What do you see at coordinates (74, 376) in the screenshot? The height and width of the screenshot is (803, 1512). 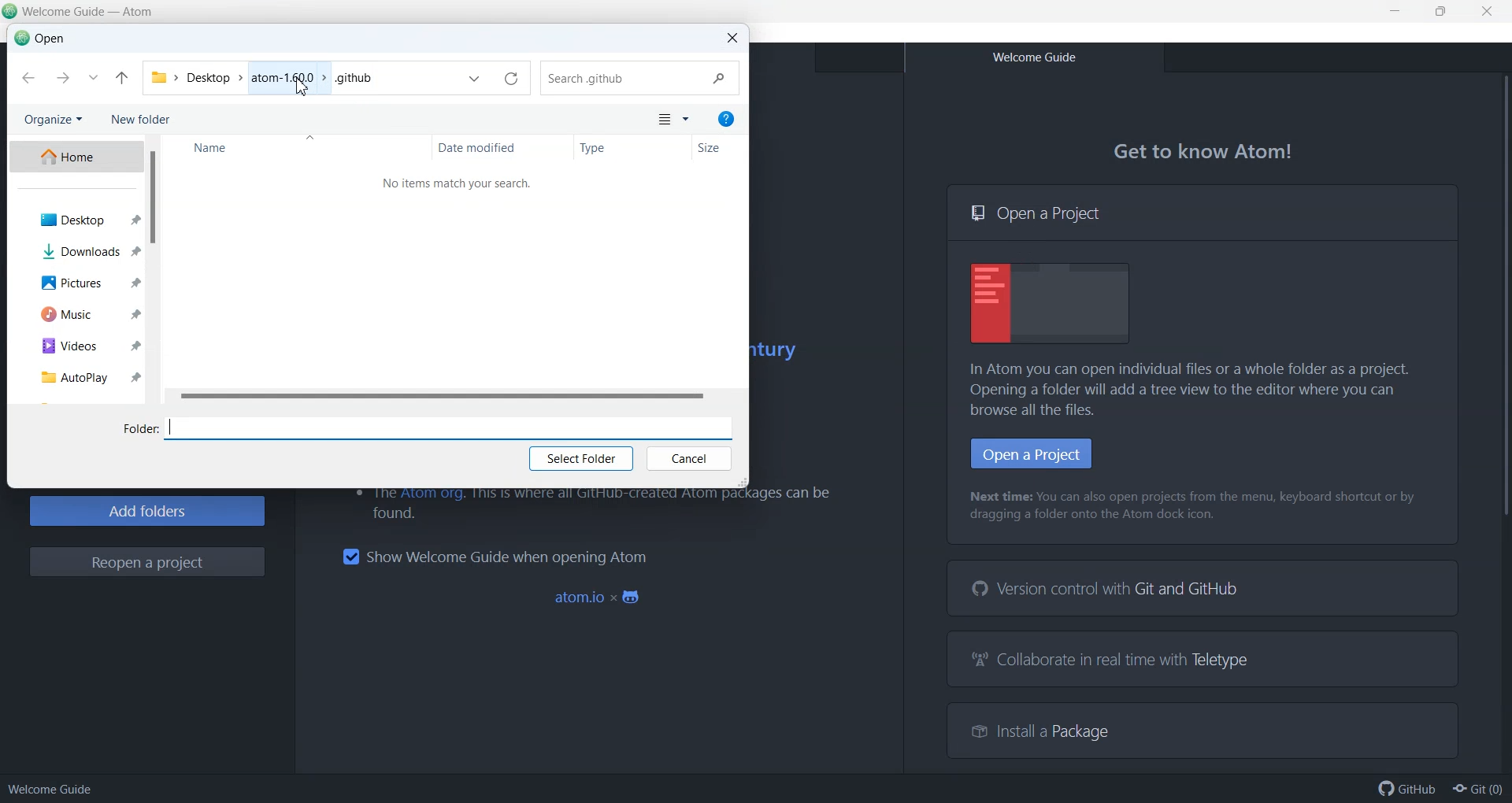 I see `AutoPlay` at bounding box center [74, 376].